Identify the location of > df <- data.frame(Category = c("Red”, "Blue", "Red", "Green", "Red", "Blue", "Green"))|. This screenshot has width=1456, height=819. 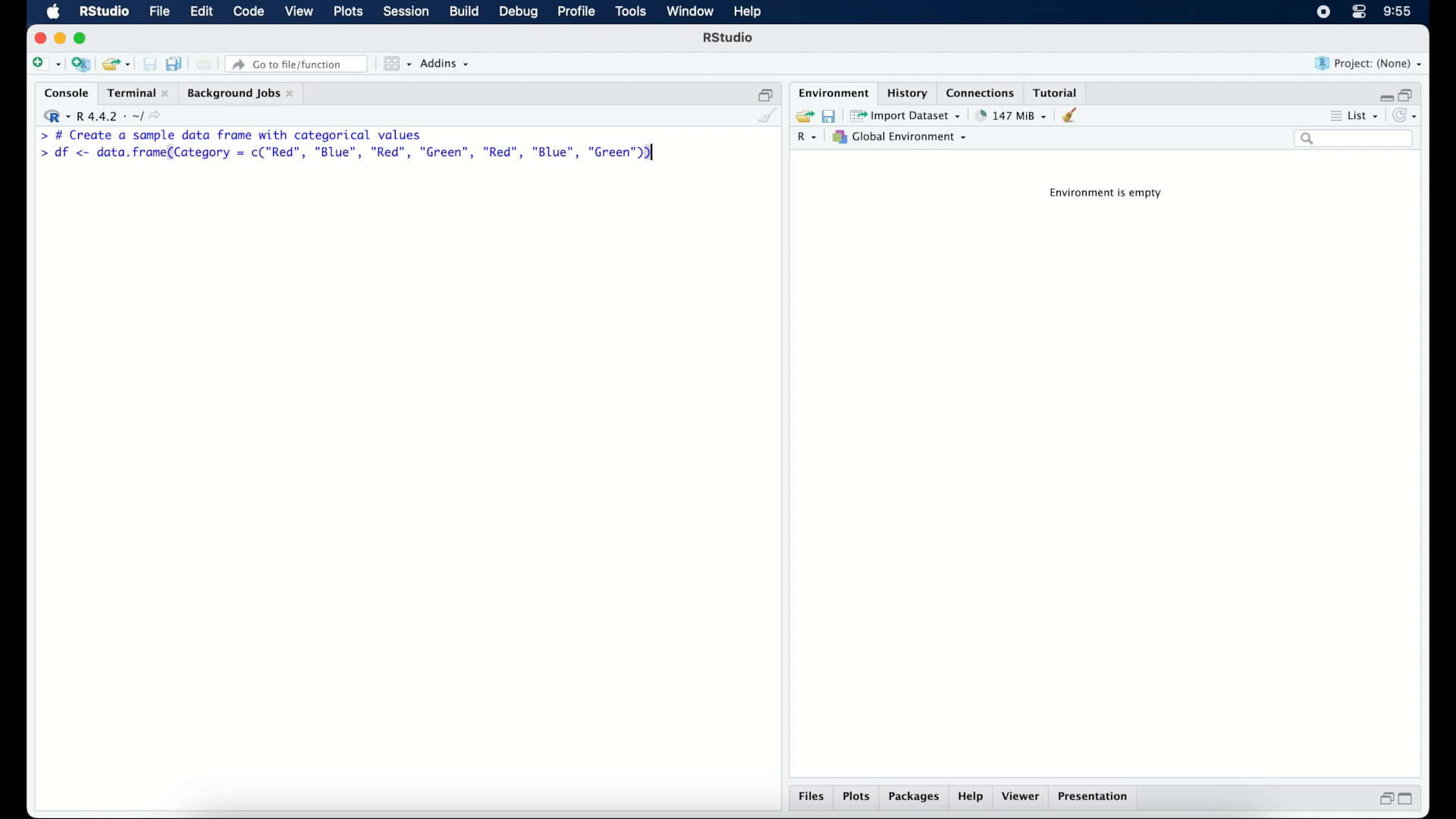
(349, 153).